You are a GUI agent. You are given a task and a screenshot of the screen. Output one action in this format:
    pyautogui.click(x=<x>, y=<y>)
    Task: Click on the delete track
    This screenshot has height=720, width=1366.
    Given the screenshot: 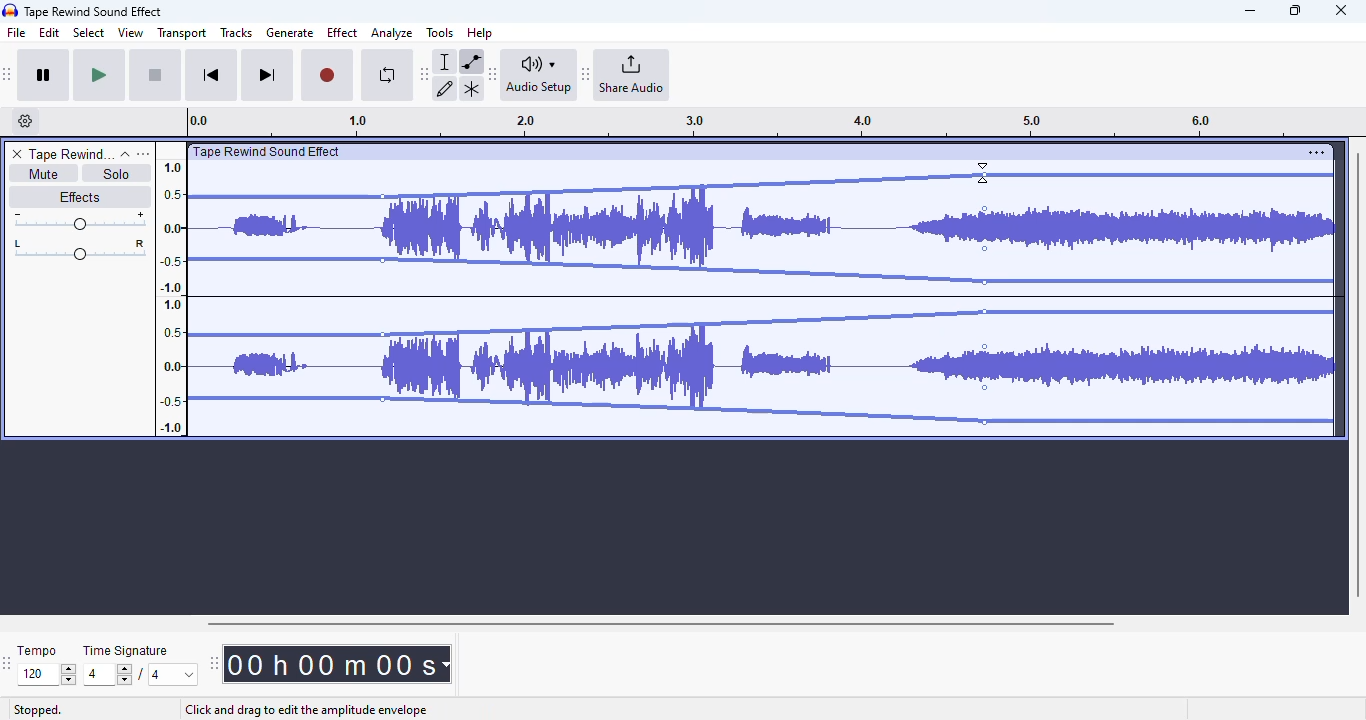 What is the action you would take?
    pyautogui.click(x=17, y=154)
    